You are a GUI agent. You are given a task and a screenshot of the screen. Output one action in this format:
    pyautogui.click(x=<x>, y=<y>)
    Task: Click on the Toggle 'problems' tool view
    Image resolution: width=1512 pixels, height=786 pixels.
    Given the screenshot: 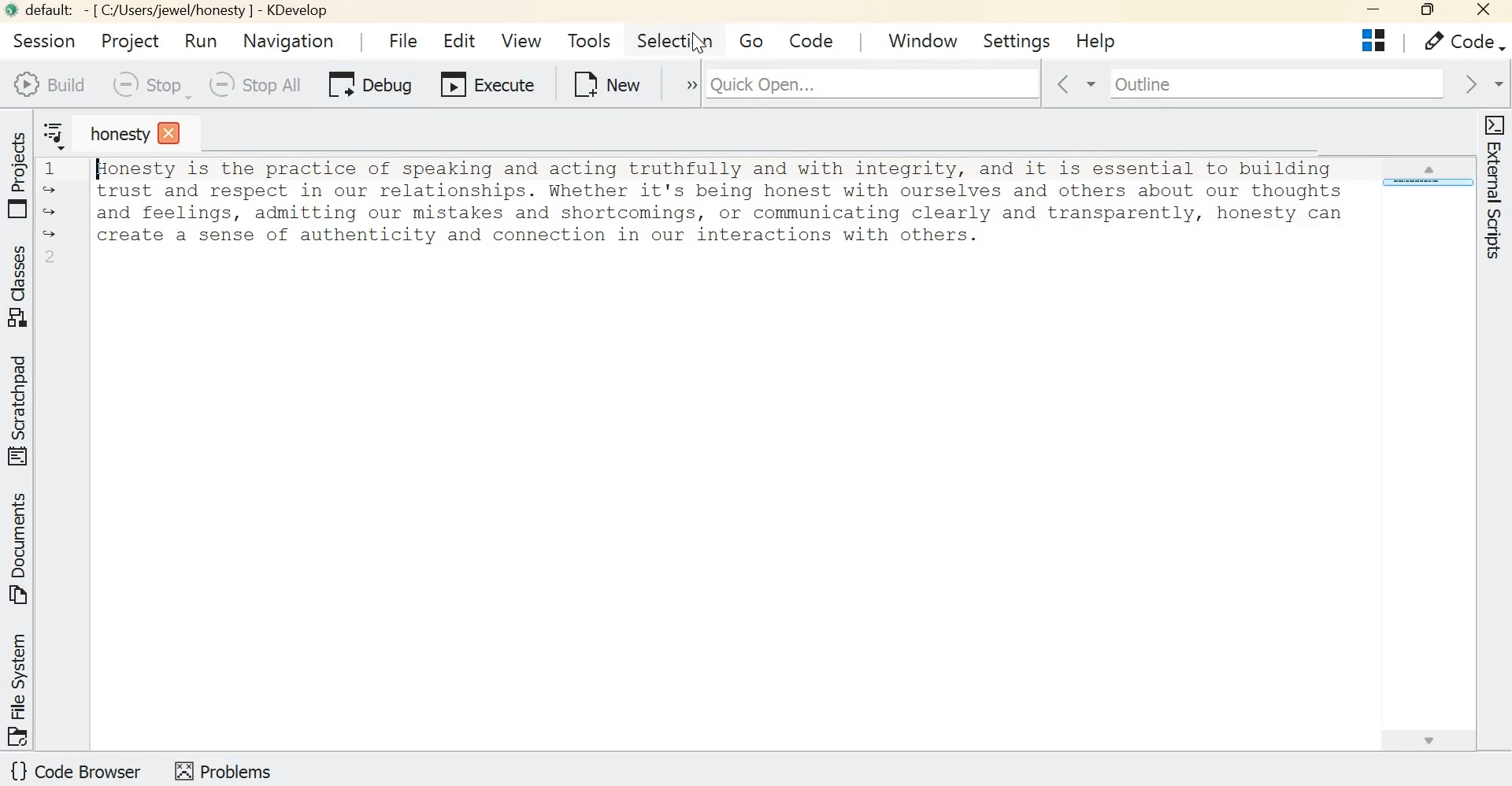 What is the action you would take?
    pyautogui.click(x=223, y=769)
    